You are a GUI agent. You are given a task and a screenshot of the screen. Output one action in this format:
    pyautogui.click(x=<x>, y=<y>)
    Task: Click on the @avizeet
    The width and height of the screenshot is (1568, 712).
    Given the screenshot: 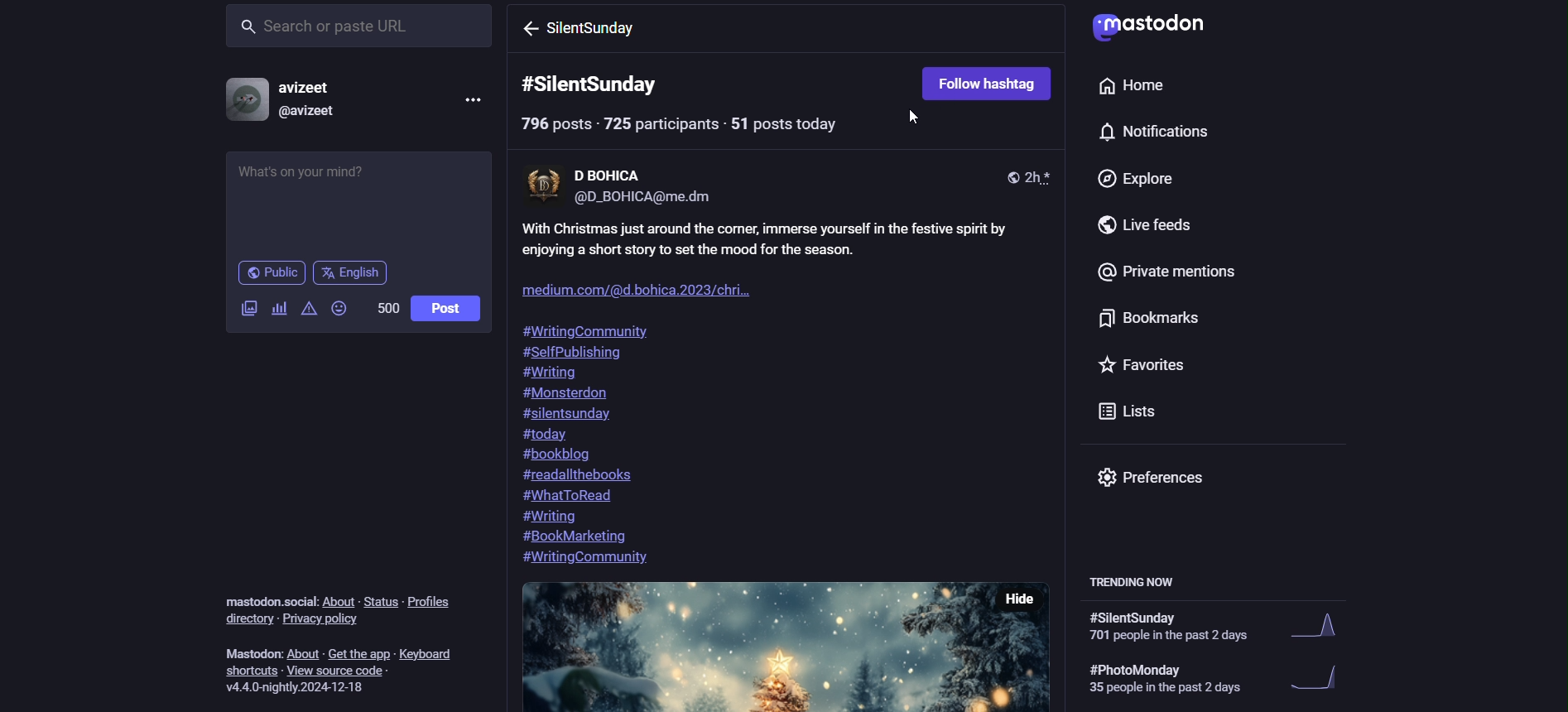 What is the action you would take?
    pyautogui.click(x=319, y=112)
    